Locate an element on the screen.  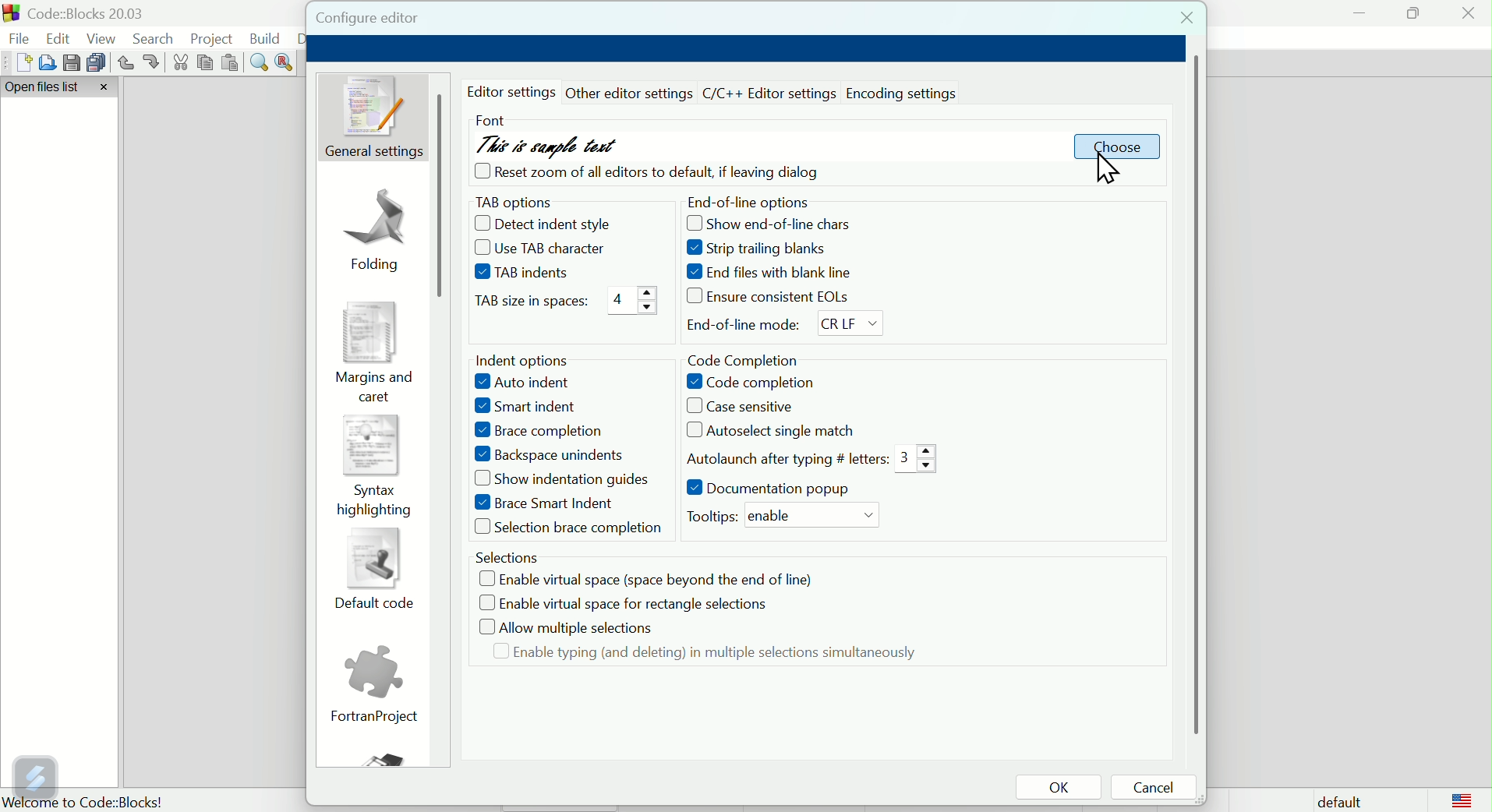
cheque box is located at coordinates (647, 171).